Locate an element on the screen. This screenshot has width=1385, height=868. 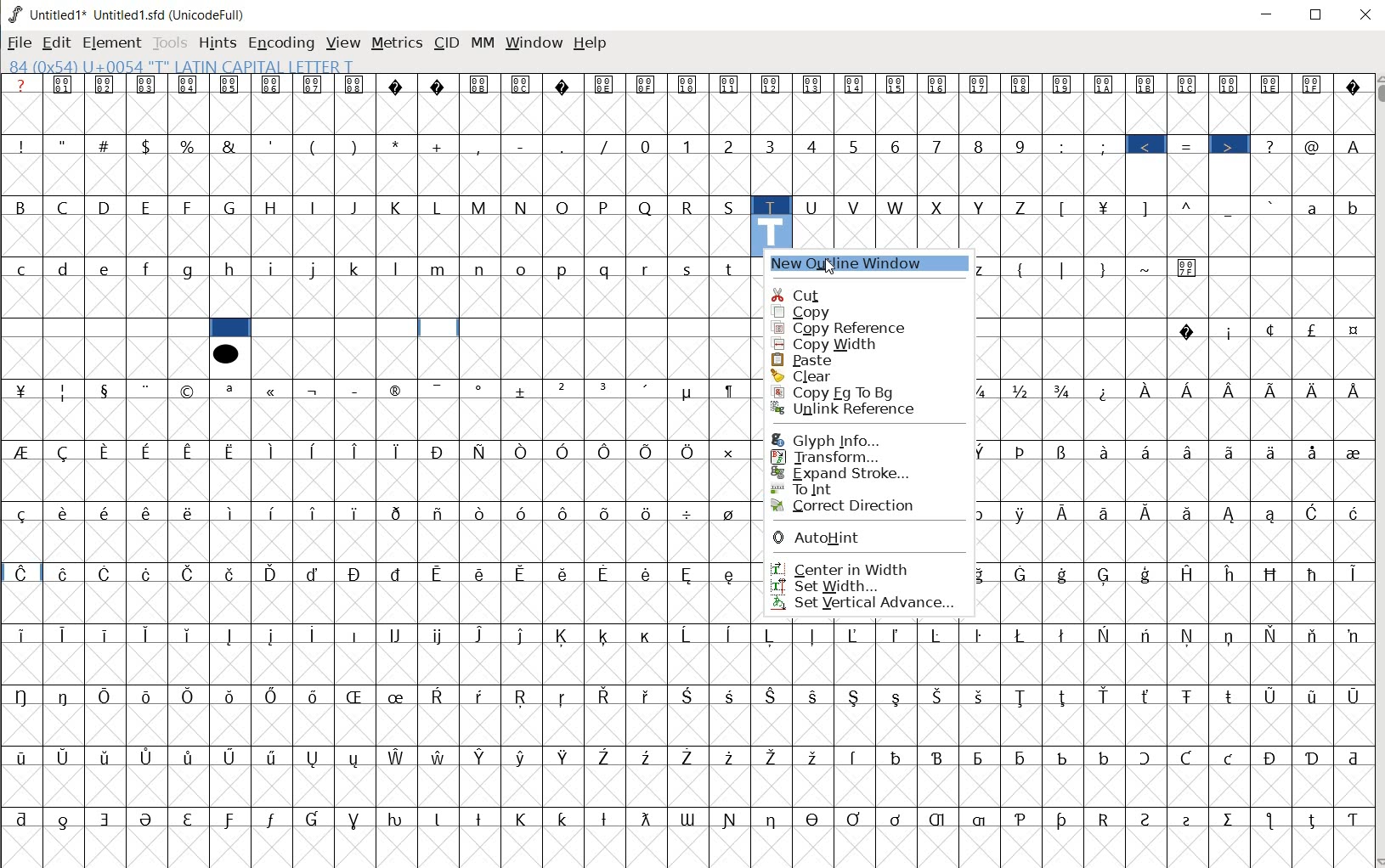
Symbol is located at coordinates (399, 389).